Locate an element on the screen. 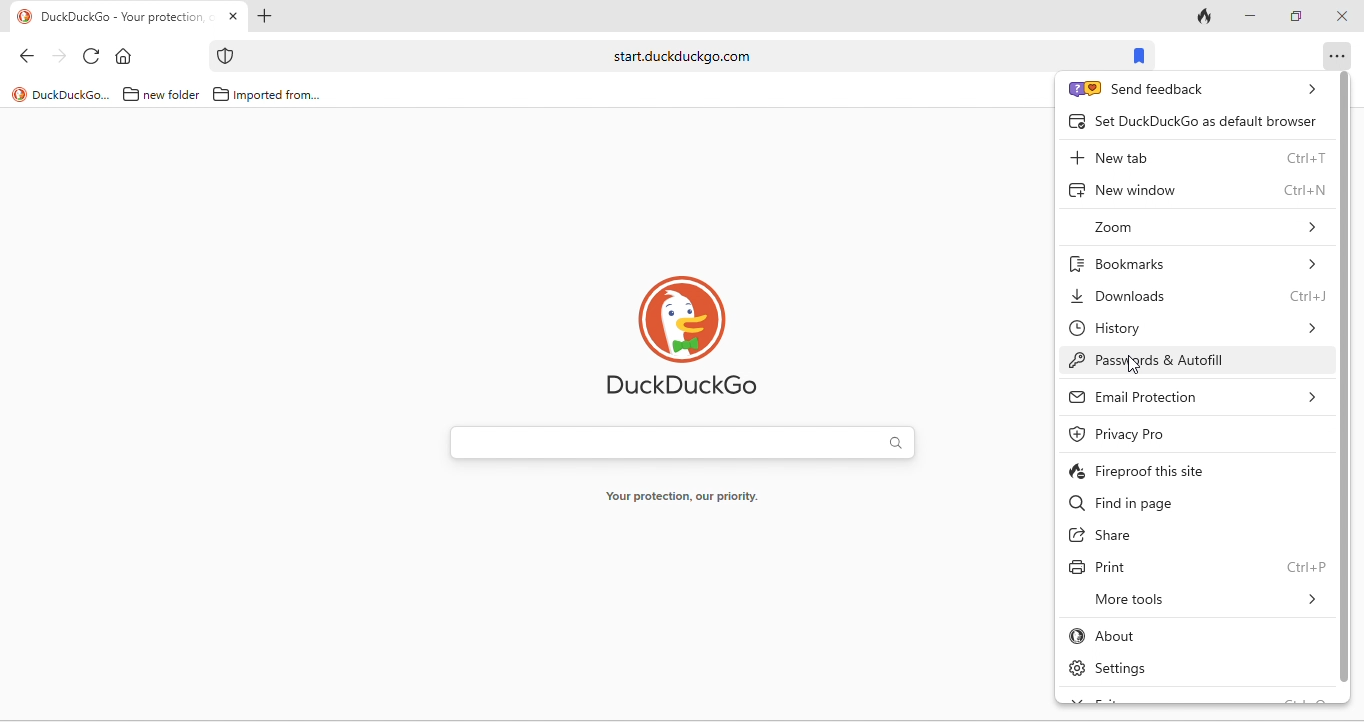 This screenshot has width=1364, height=722. privacy pro is located at coordinates (1125, 433).